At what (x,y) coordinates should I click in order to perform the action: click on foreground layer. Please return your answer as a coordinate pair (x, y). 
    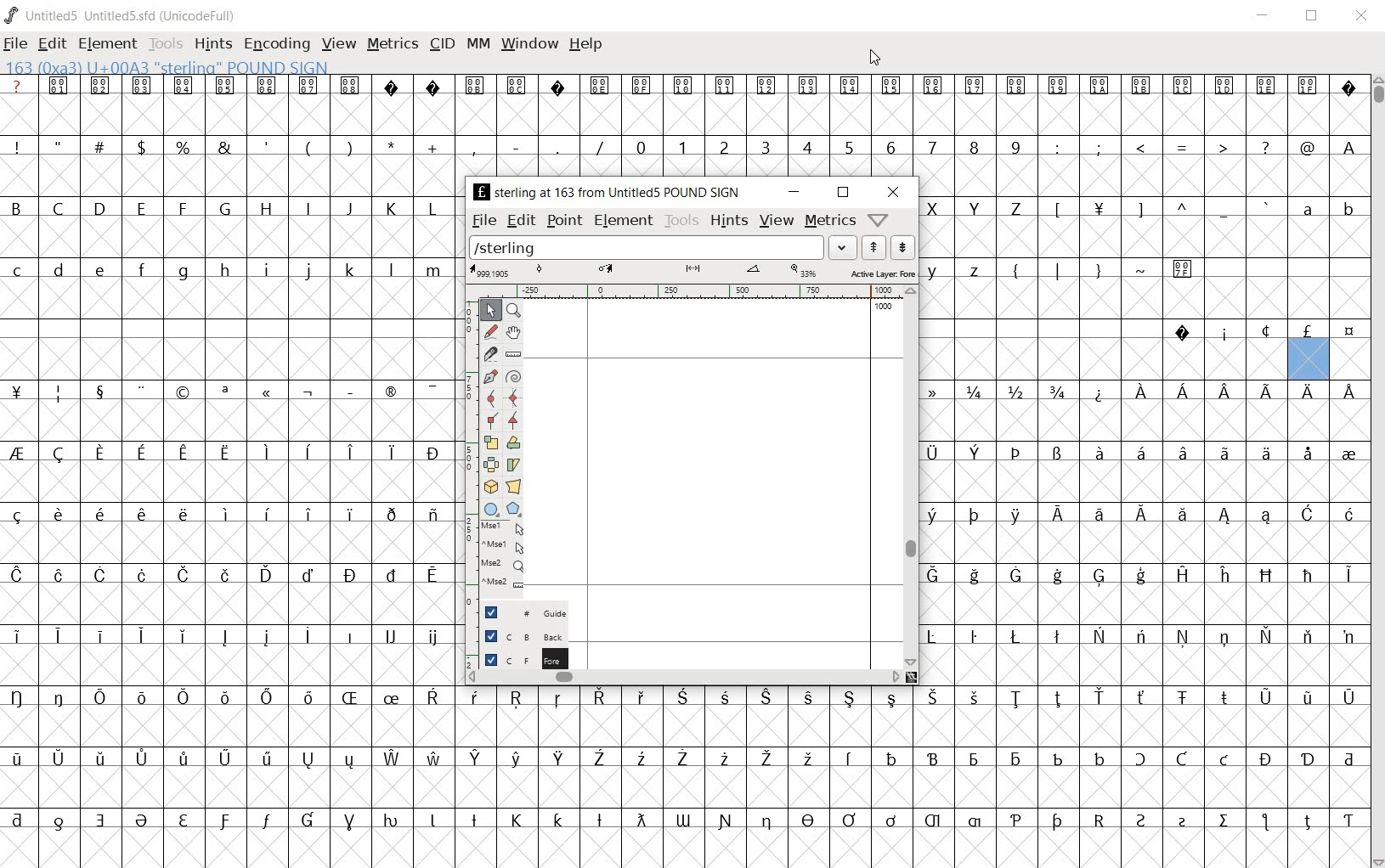
    Looking at the image, I should click on (518, 658).